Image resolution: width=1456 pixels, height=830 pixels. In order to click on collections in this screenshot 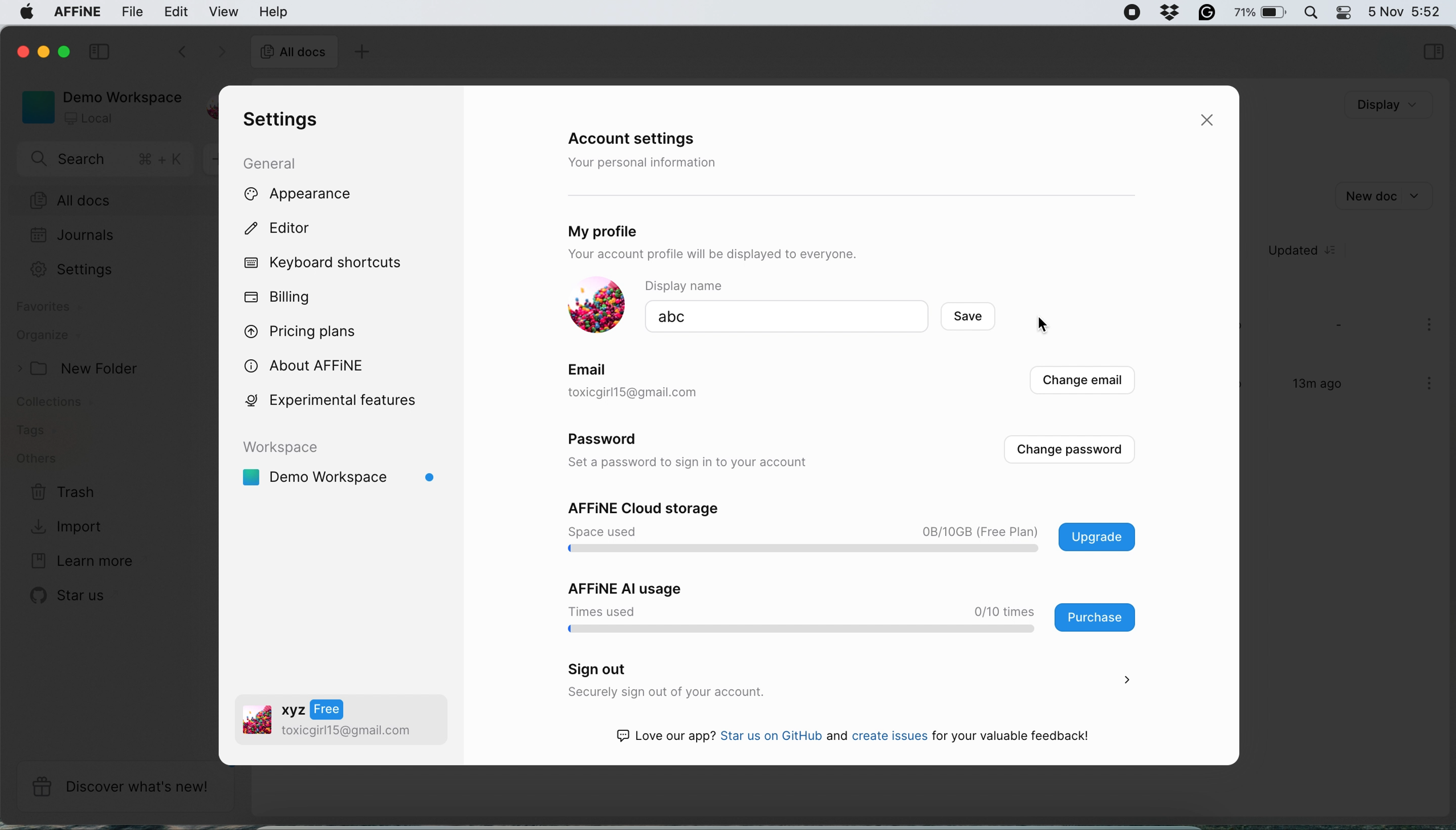, I will do `click(64, 404)`.